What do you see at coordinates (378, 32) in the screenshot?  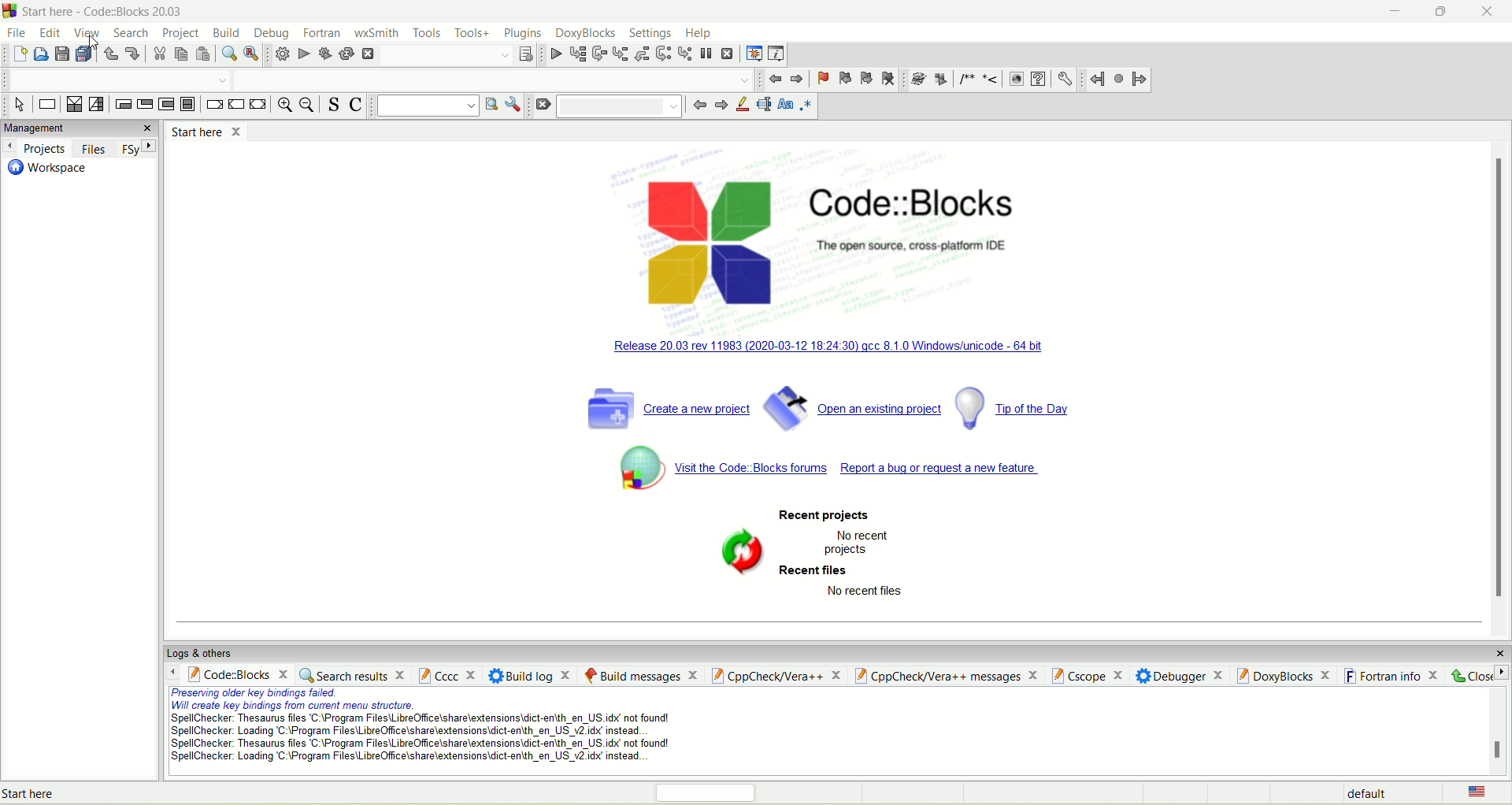 I see `wxSmith` at bounding box center [378, 32].